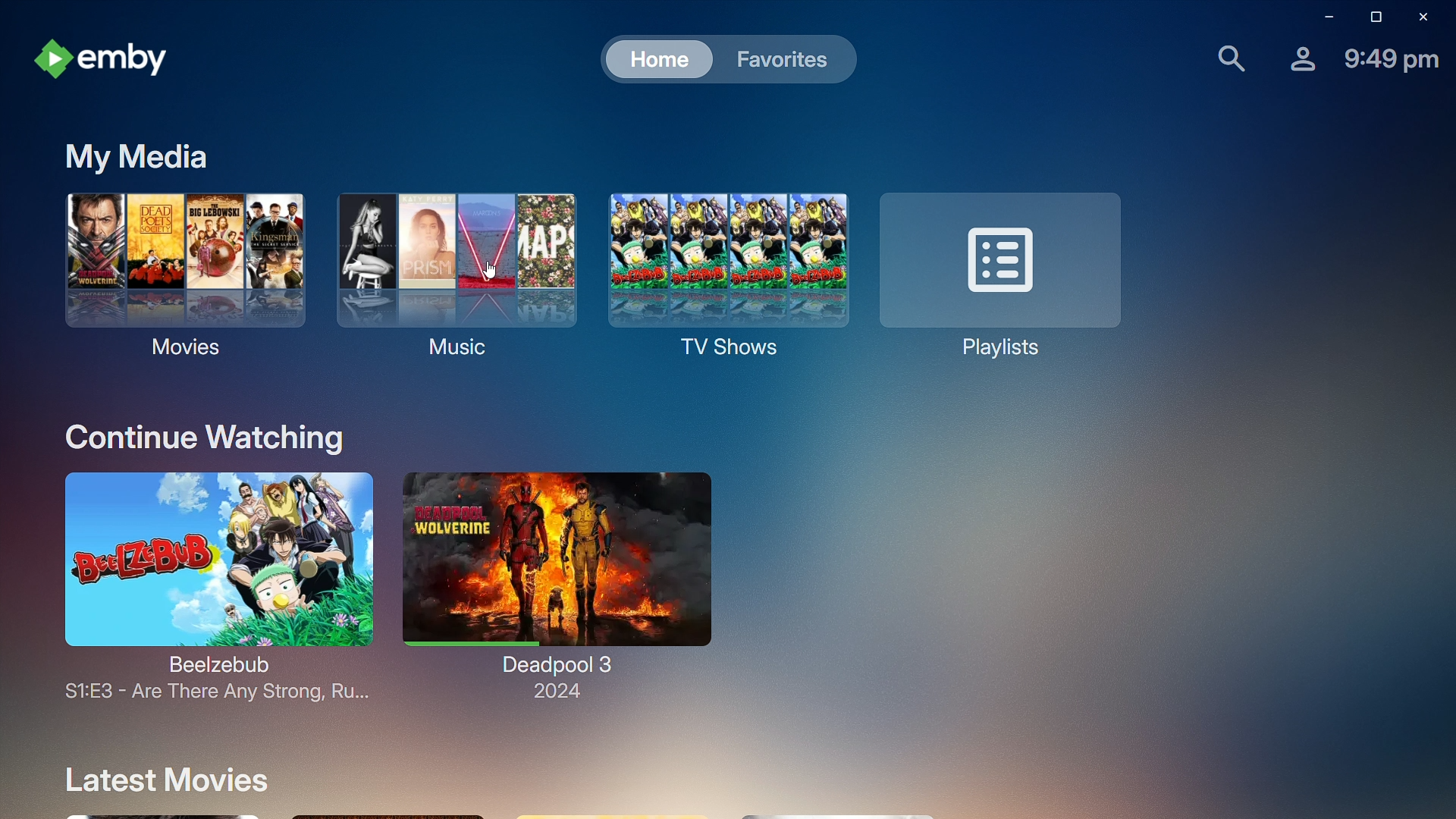  I want to click on Continue Watching, so click(207, 435).